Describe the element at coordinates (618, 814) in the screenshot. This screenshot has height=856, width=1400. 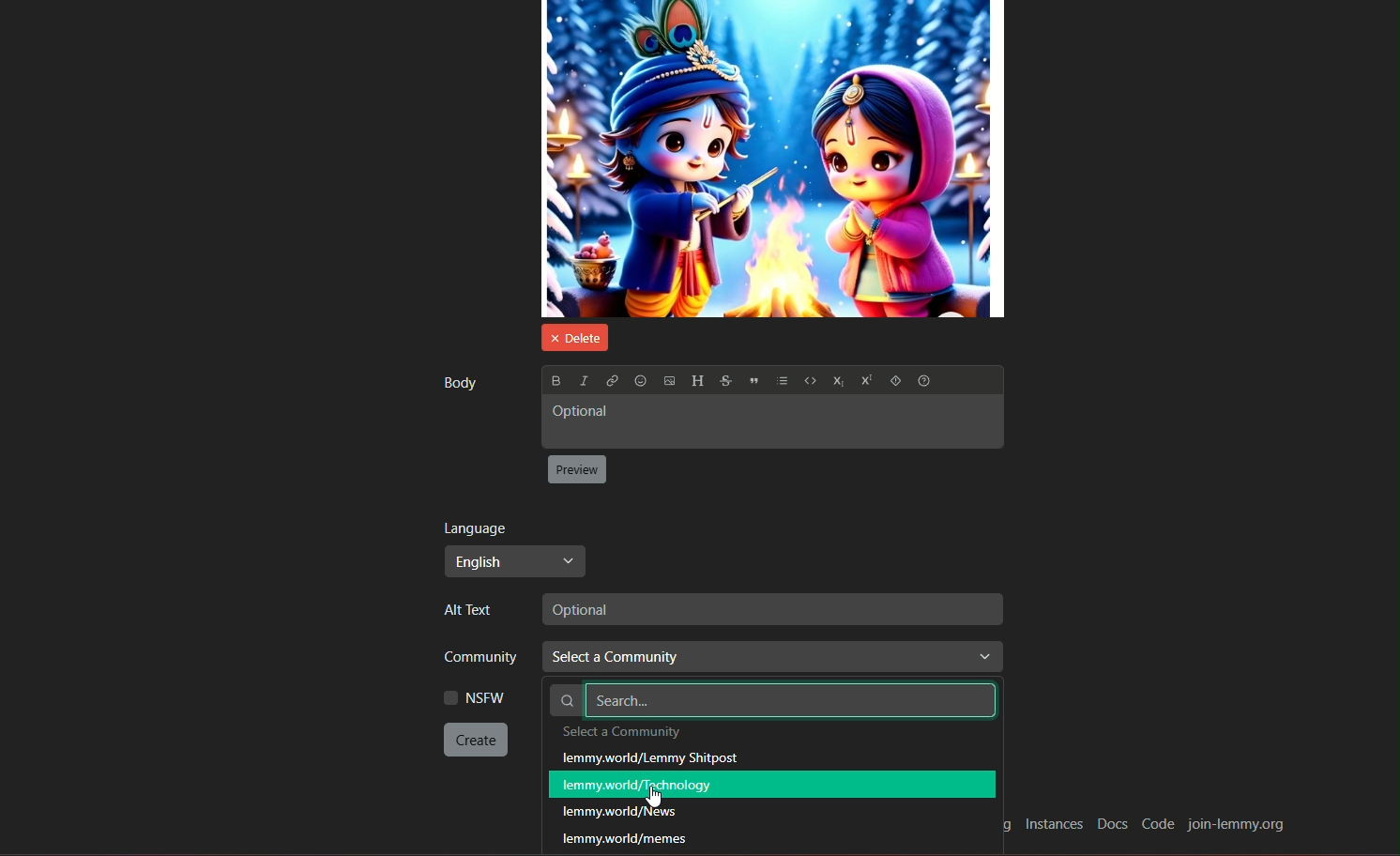
I see `lemmy.world/news` at that location.